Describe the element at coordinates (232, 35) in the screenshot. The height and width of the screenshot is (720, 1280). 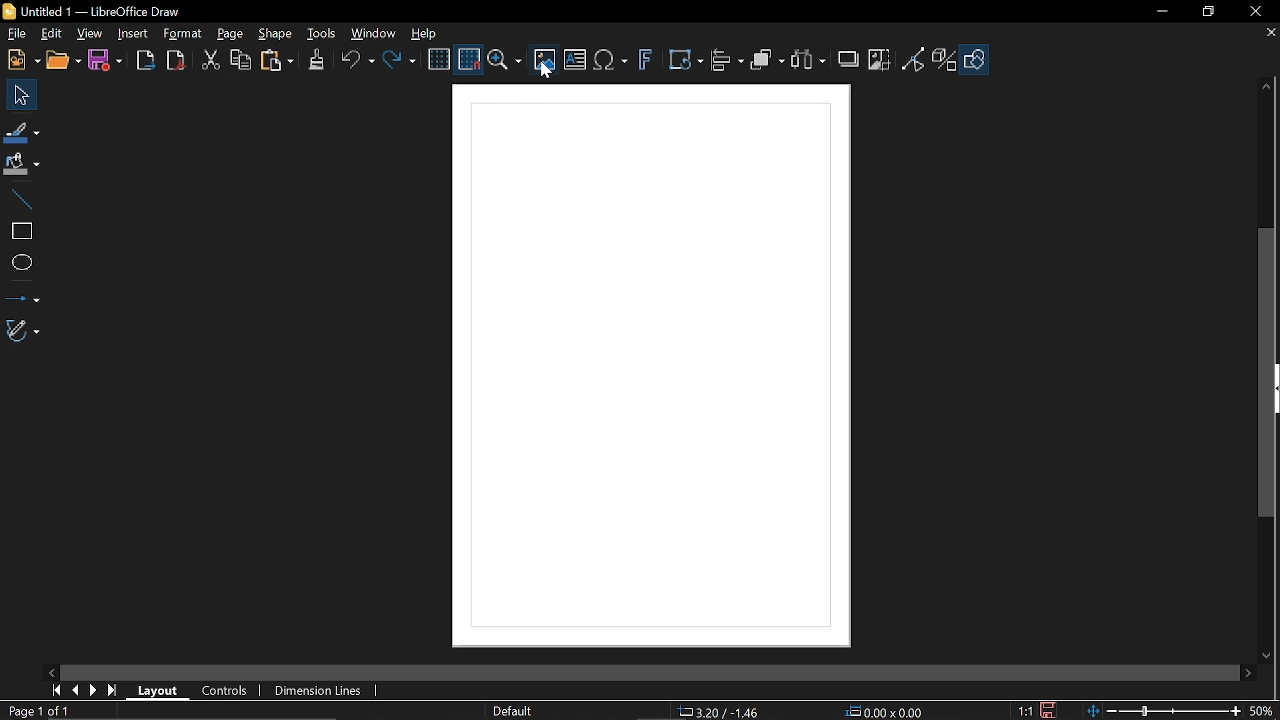
I see `Page` at that location.